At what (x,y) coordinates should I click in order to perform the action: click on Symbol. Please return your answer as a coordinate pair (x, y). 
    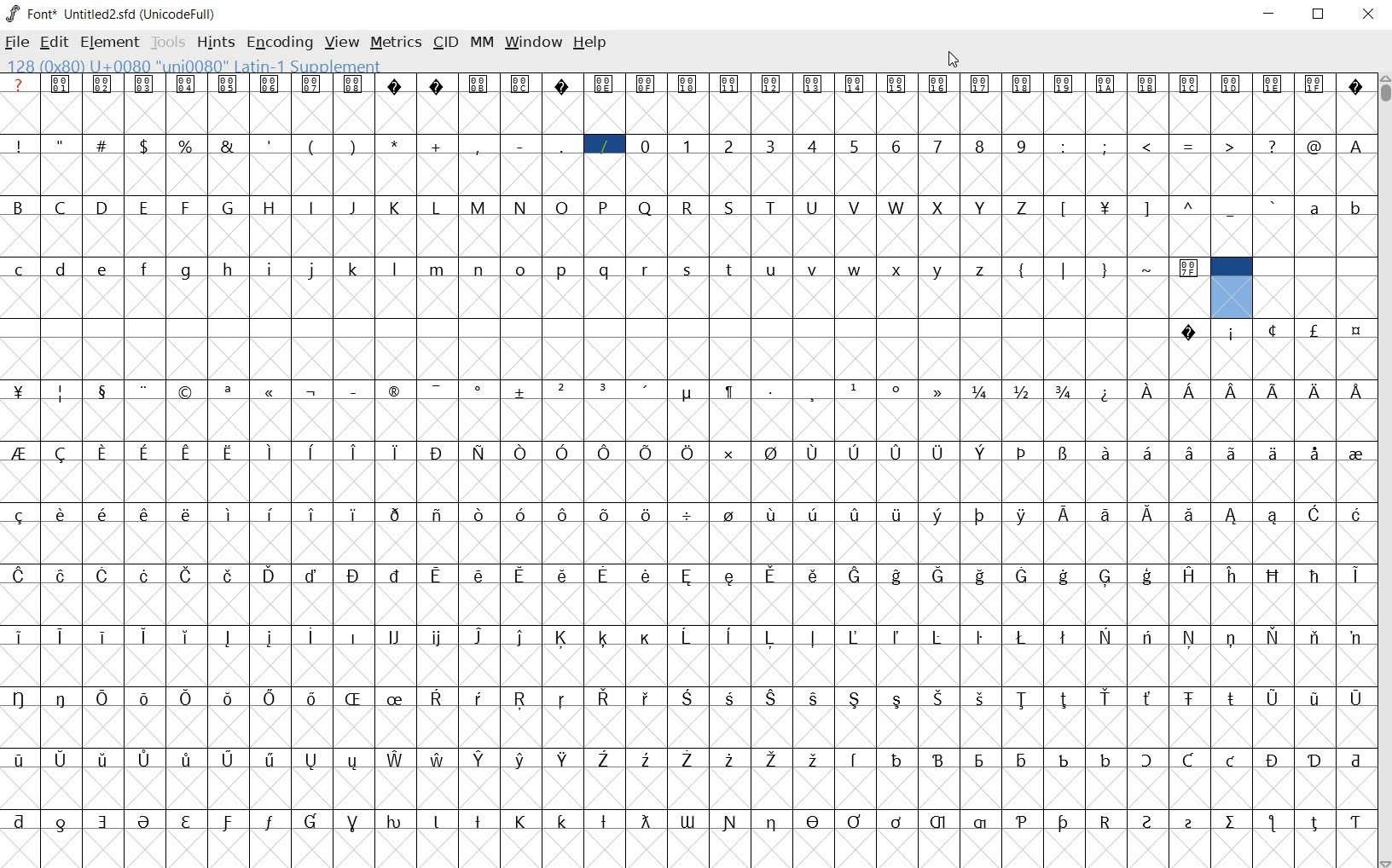
    Looking at the image, I should click on (436, 85).